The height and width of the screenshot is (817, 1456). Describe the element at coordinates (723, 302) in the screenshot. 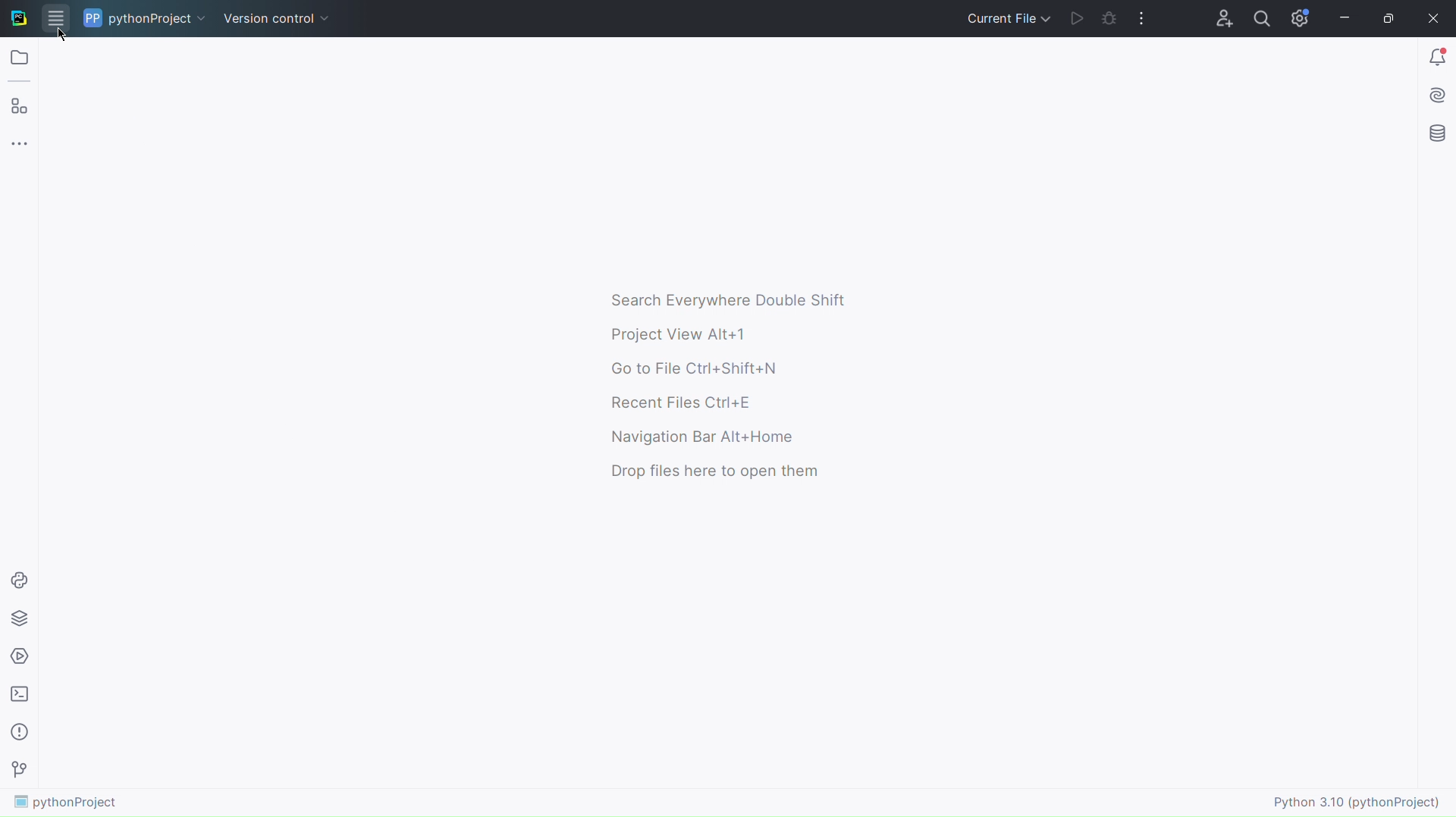

I see `Search Everywhere Double Shift` at that location.